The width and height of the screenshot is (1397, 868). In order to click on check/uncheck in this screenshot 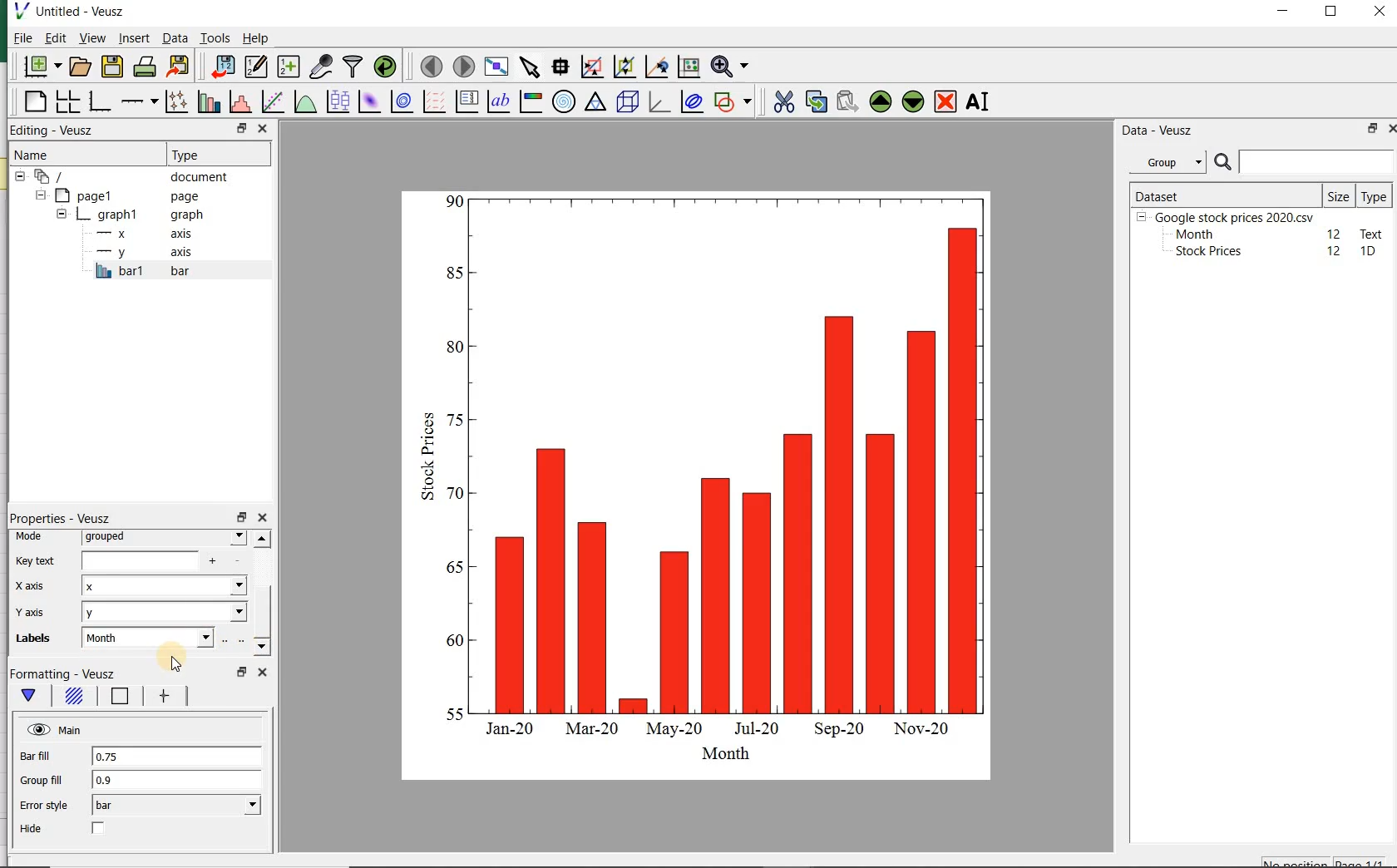, I will do `click(100, 829)`.